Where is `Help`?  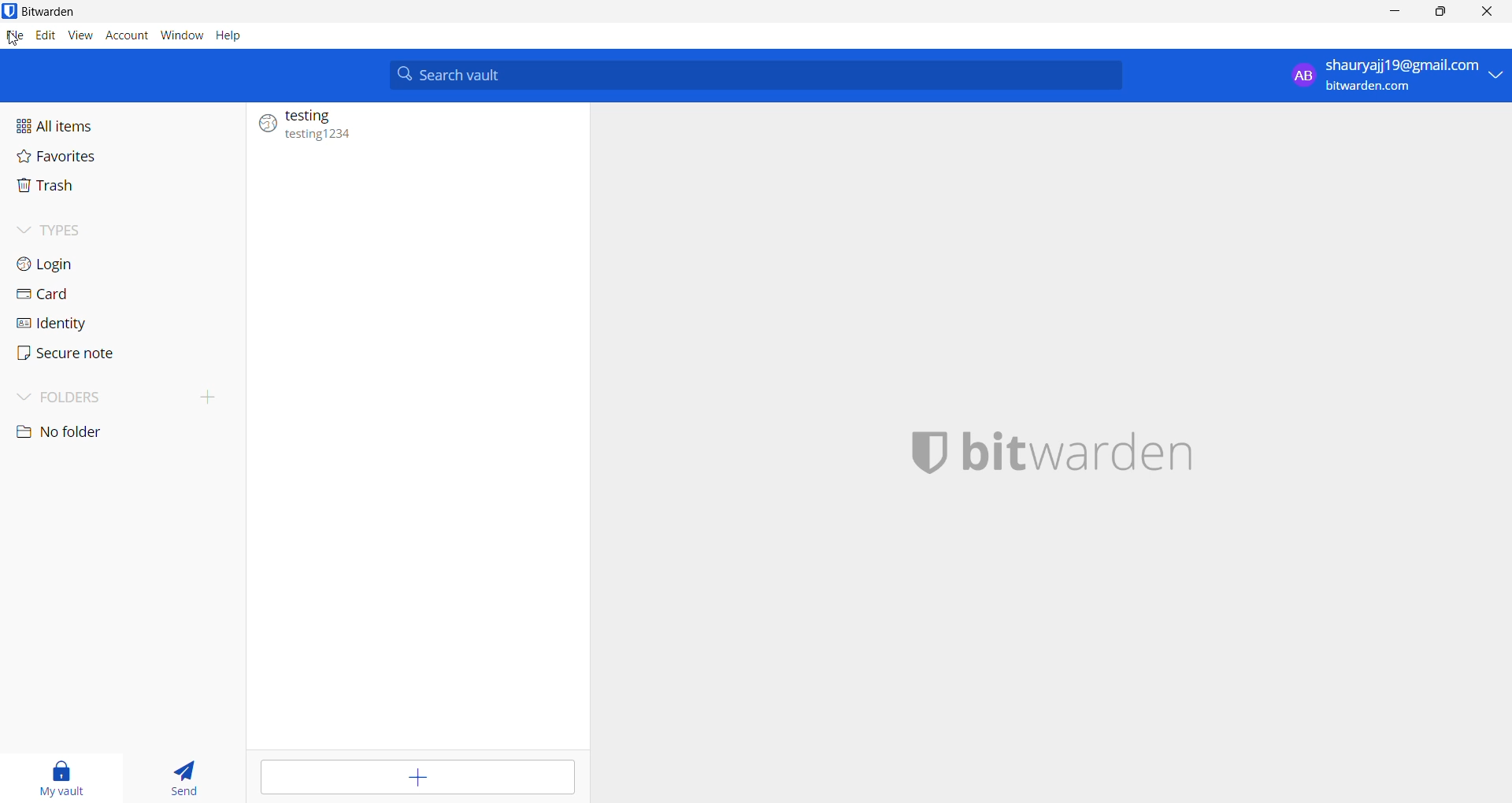 Help is located at coordinates (231, 37).